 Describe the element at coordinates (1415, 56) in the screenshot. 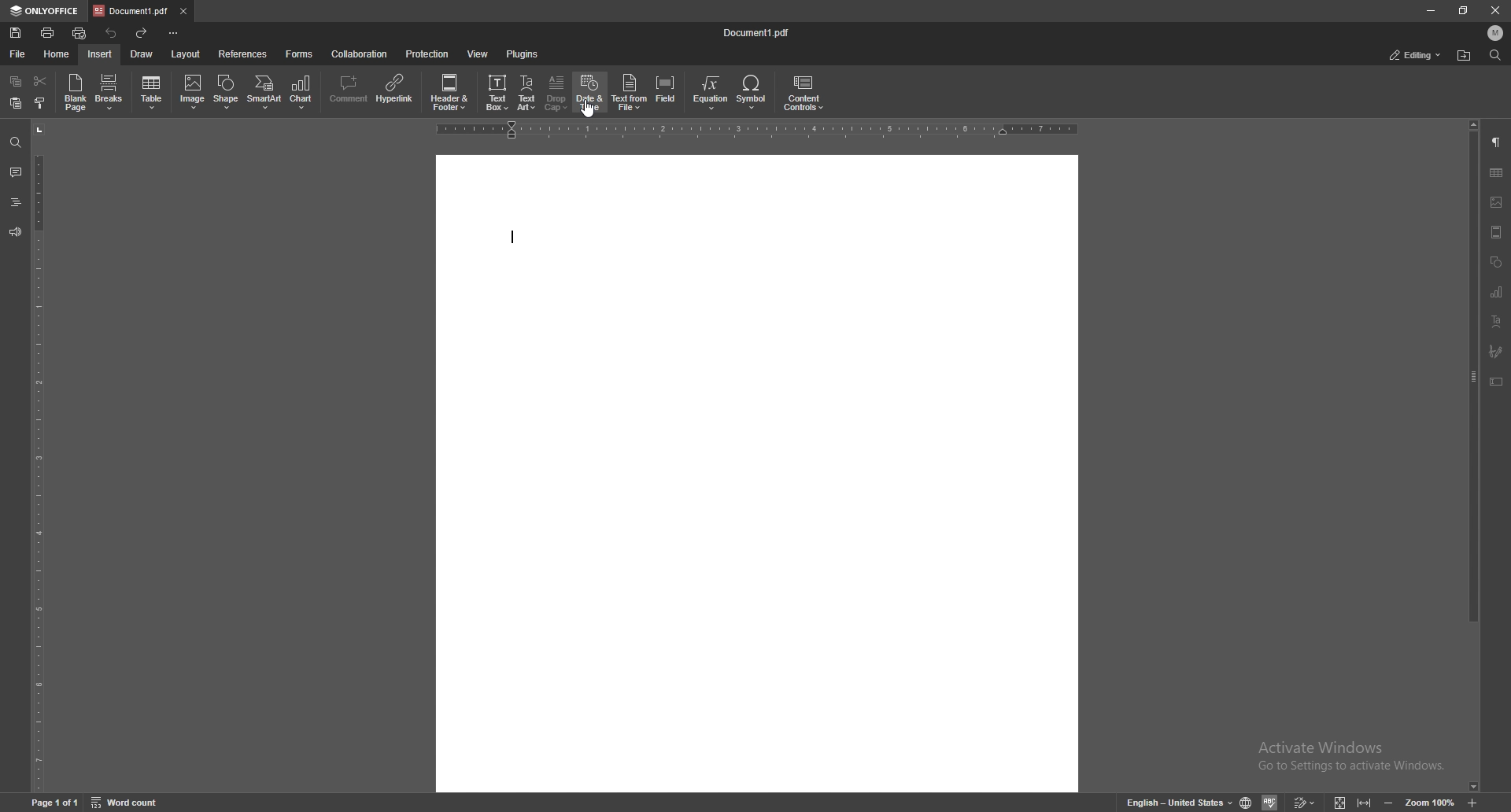

I see `status` at that location.